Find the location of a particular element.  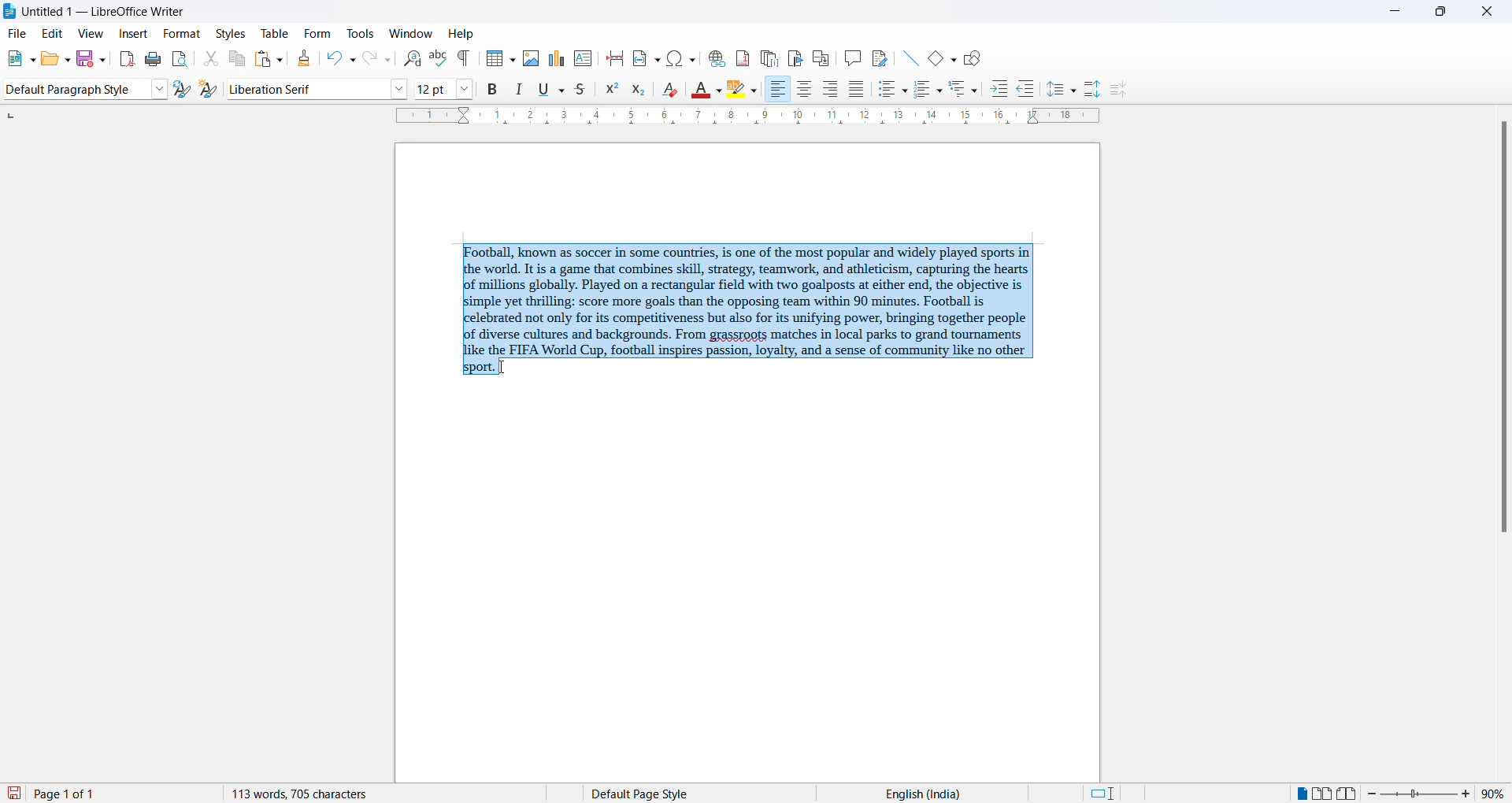

paste is located at coordinates (261, 58).